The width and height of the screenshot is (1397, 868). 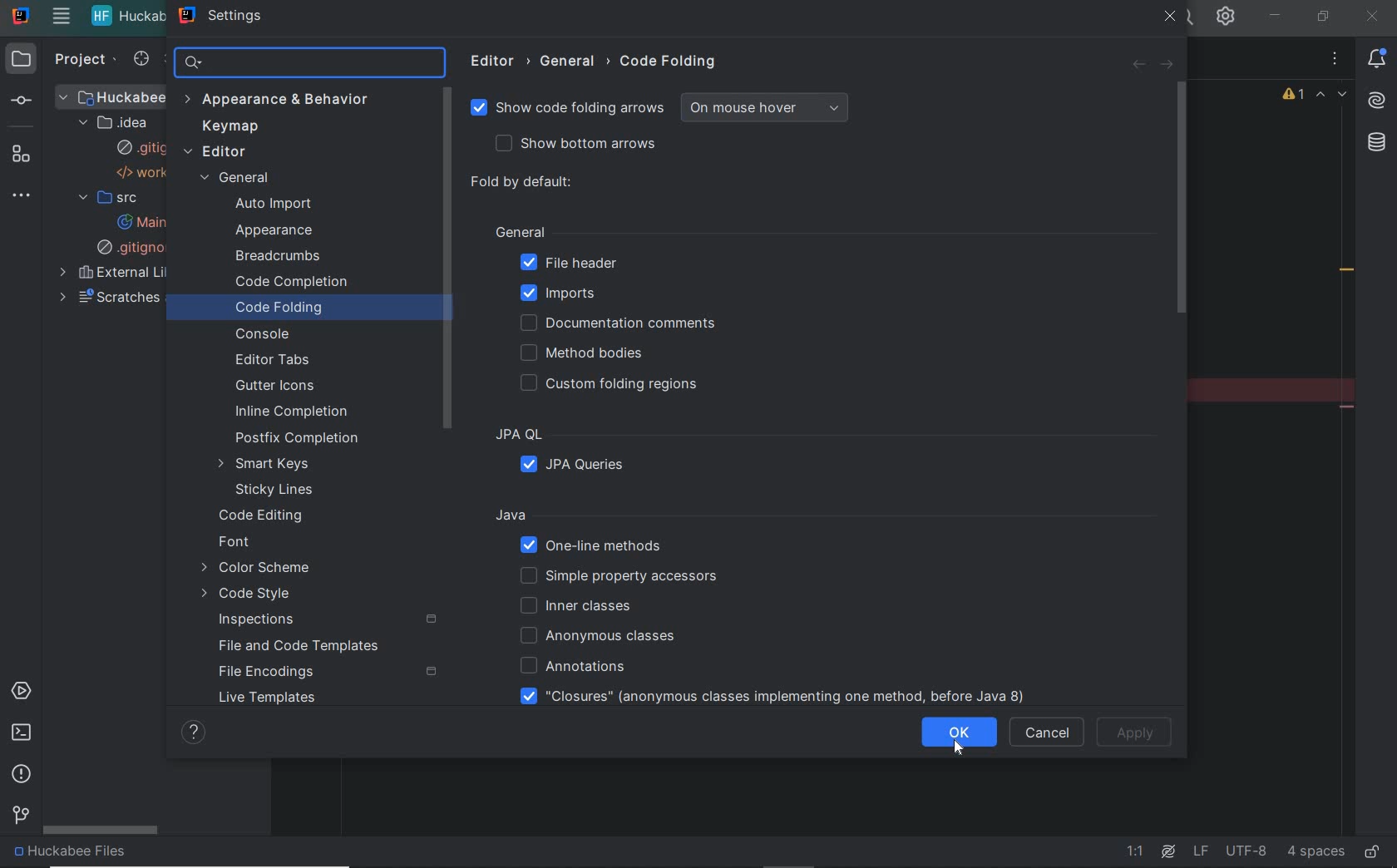 I want to click on edit tabs, so click(x=278, y=362).